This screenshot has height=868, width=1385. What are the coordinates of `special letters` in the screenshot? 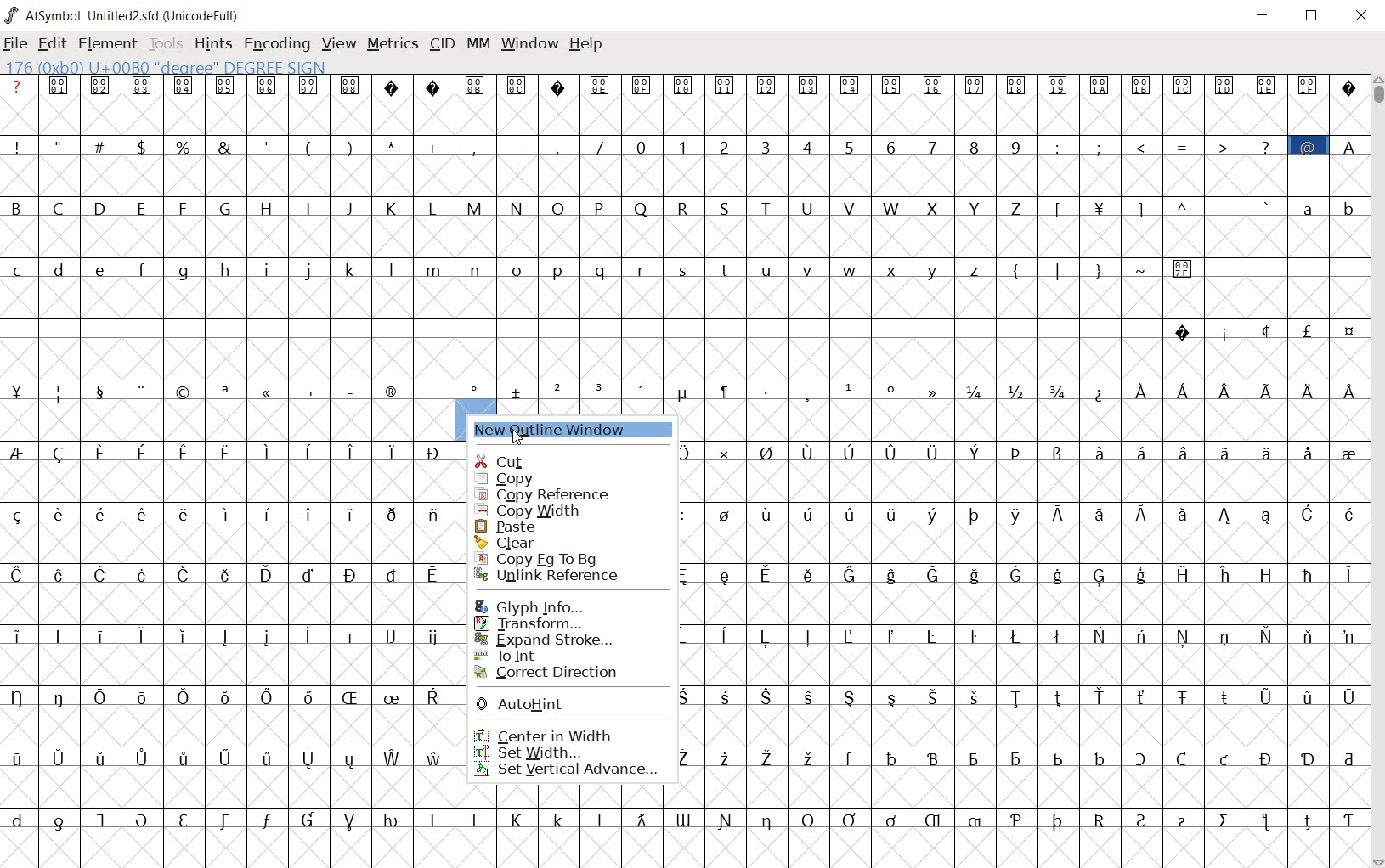 It's located at (1030, 511).